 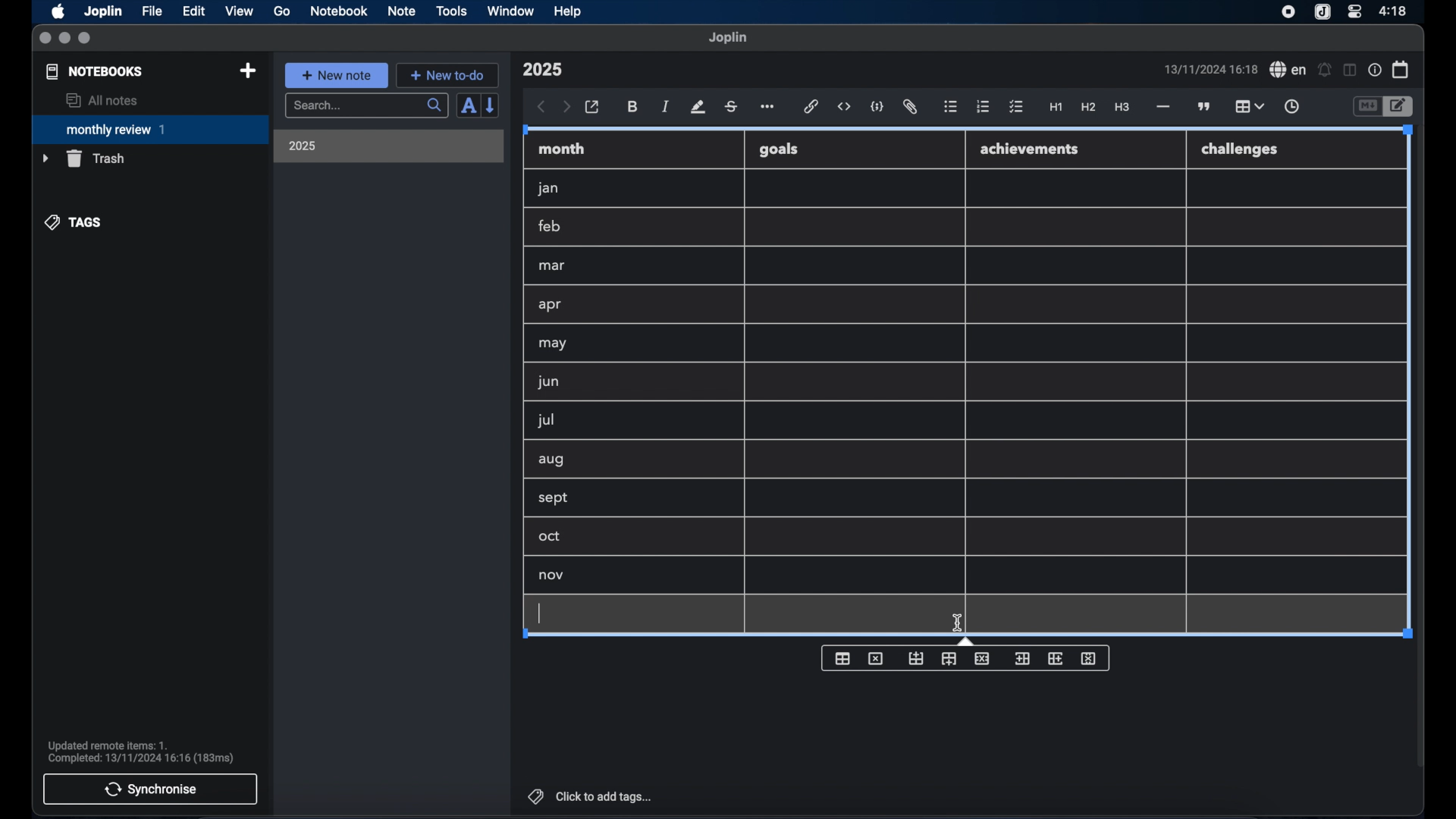 What do you see at coordinates (843, 657) in the screenshot?
I see `insert table` at bounding box center [843, 657].